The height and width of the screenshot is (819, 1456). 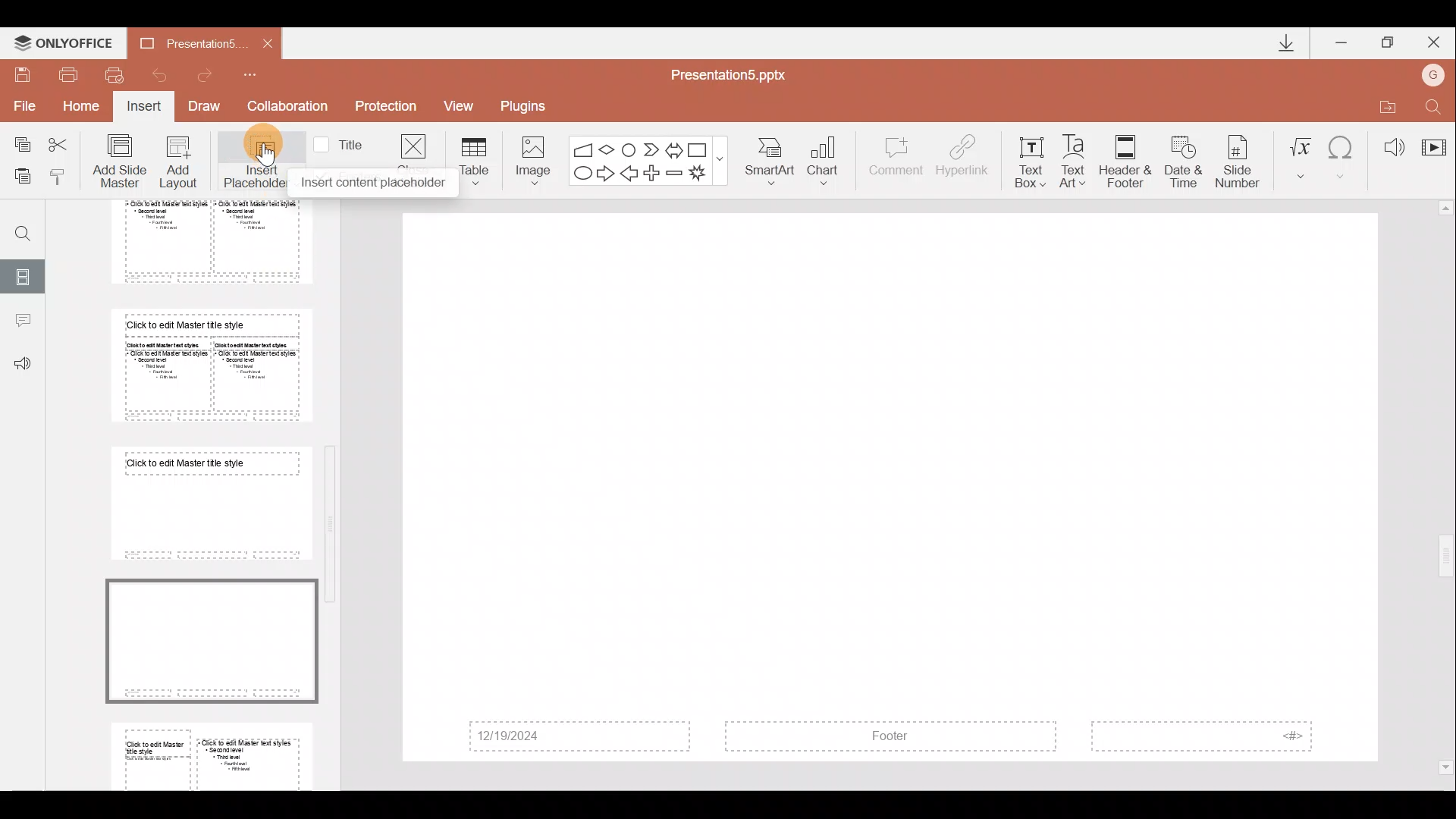 What do you see at coordinates (675, 173) in the screenshot?
I see `Minus` at bounding box center [675, 173].